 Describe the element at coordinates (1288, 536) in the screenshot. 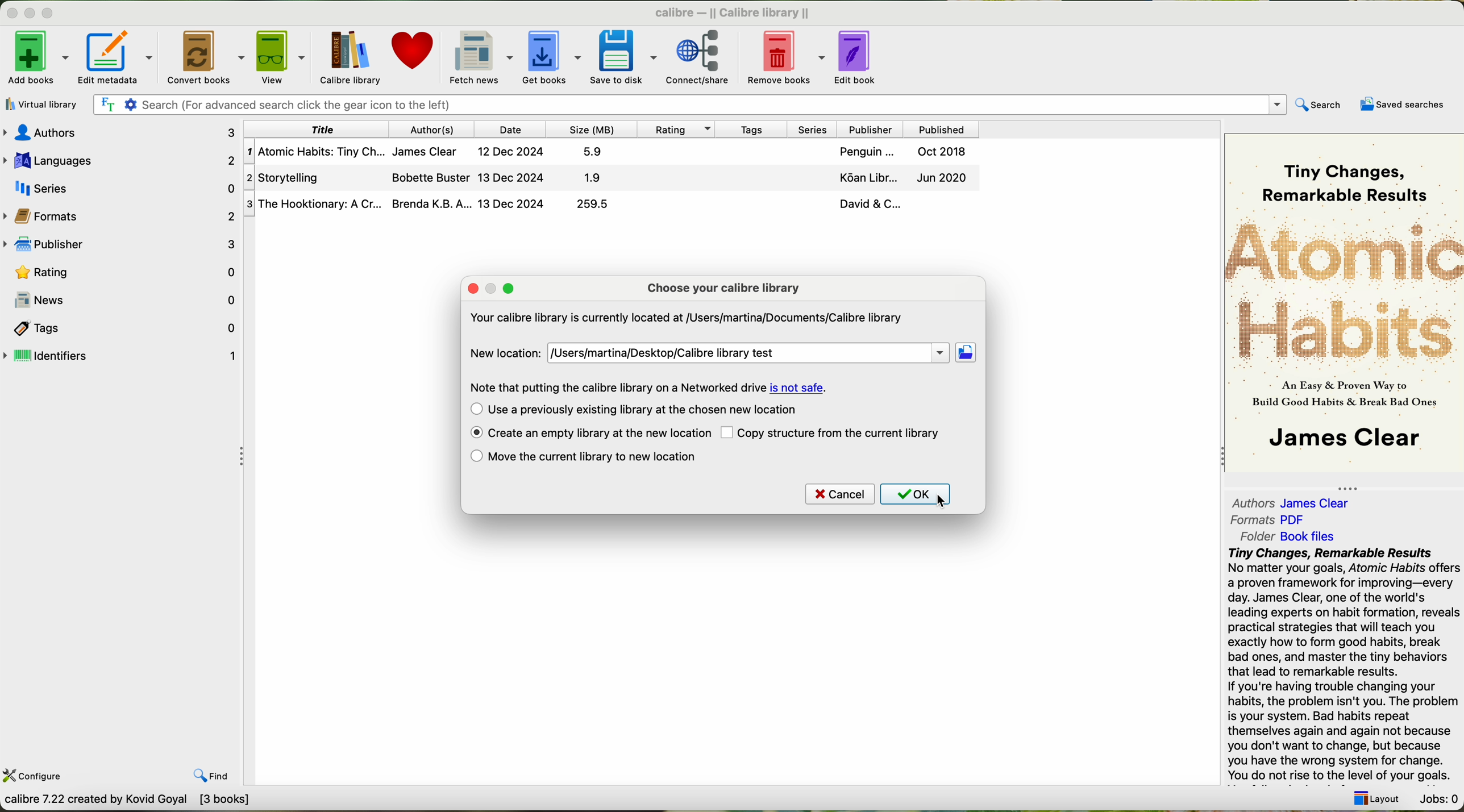

I see `folder: Book Files` at that location.